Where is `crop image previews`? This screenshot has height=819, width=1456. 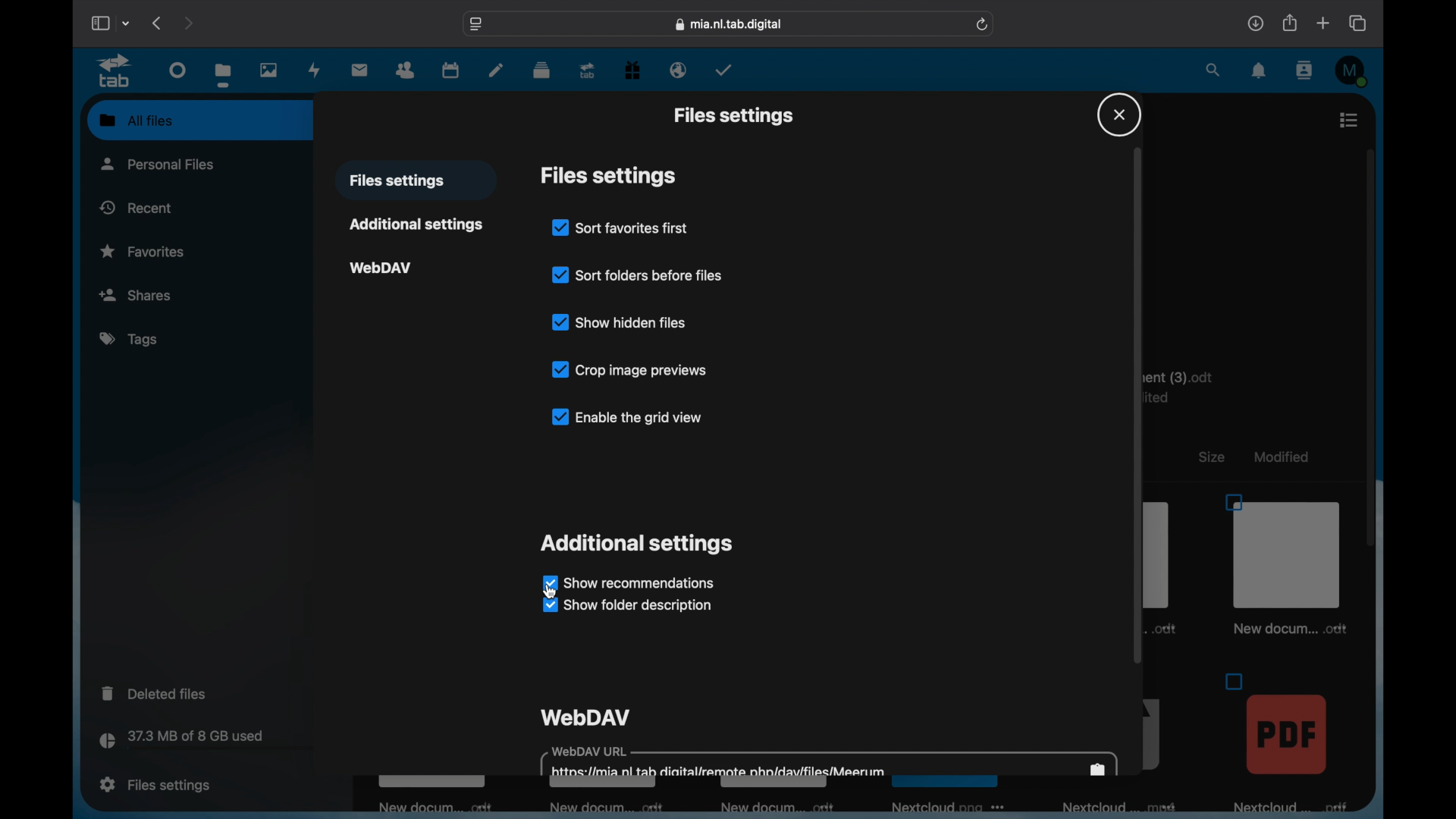
crop image previews is located at coordinates (629, 369).